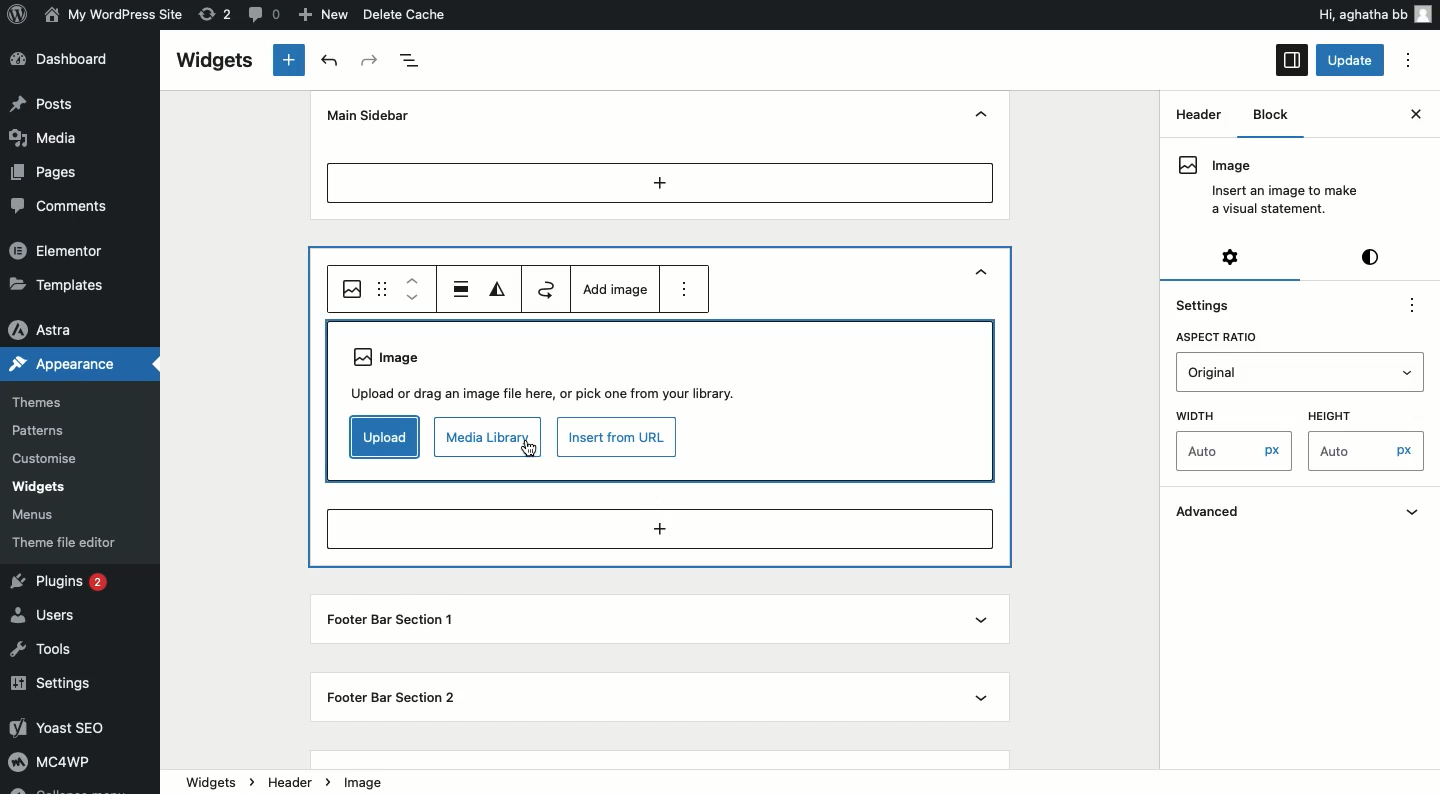 This screenshot has height=794, width=1440. Describe the element at coordinates (19, 13) in the screenshot. I see `Logo` at that location.